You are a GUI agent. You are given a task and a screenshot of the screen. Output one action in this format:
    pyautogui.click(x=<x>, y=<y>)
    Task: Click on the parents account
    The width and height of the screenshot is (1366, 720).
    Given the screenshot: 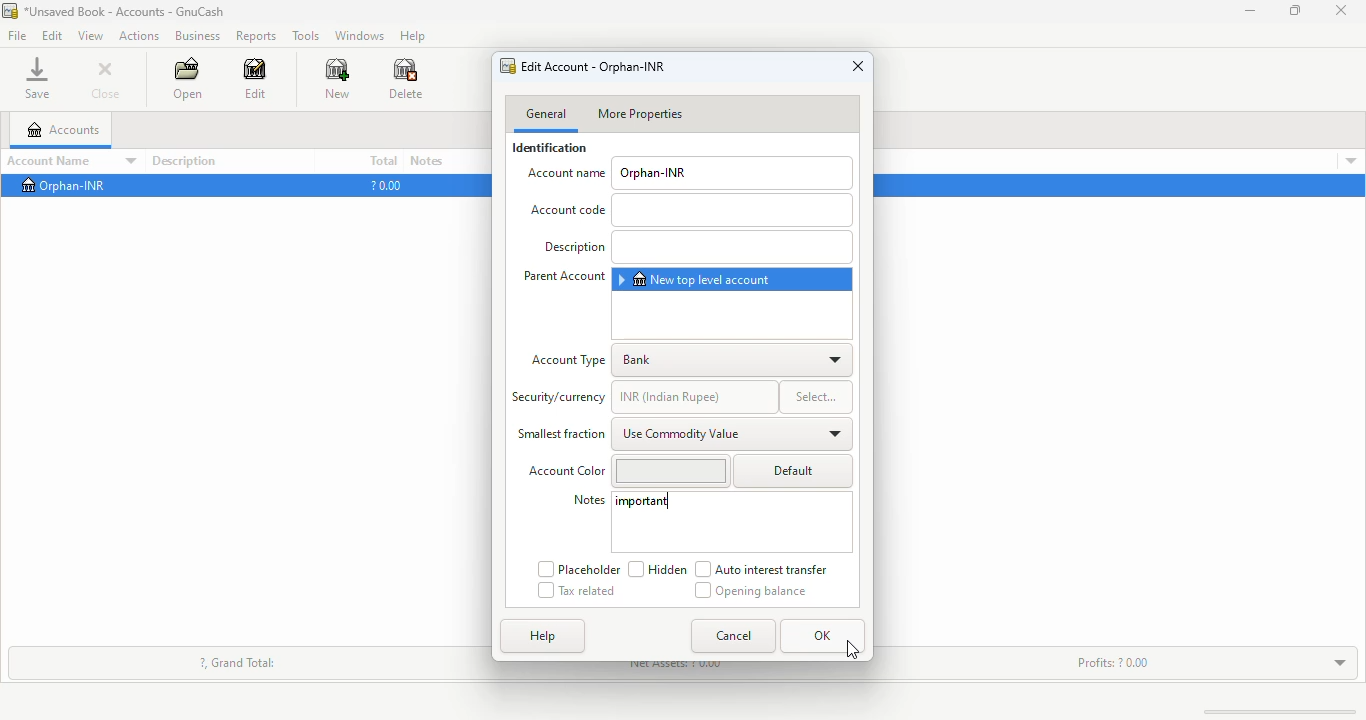 What is the action you would take?
    pyautogui.click(x=565, y=276)
    